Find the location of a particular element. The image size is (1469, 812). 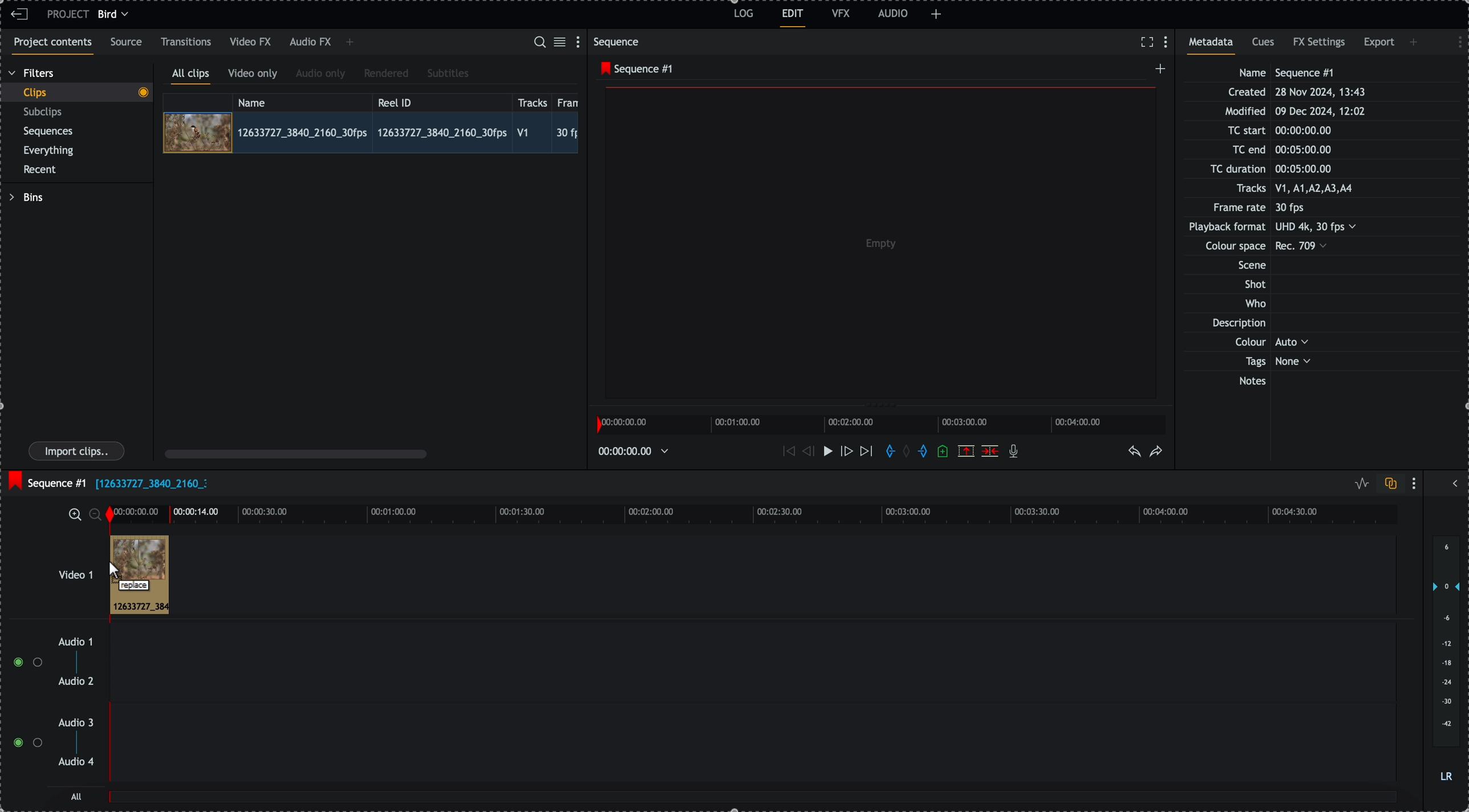

sequence #1 is located at coordinates (634, 69).